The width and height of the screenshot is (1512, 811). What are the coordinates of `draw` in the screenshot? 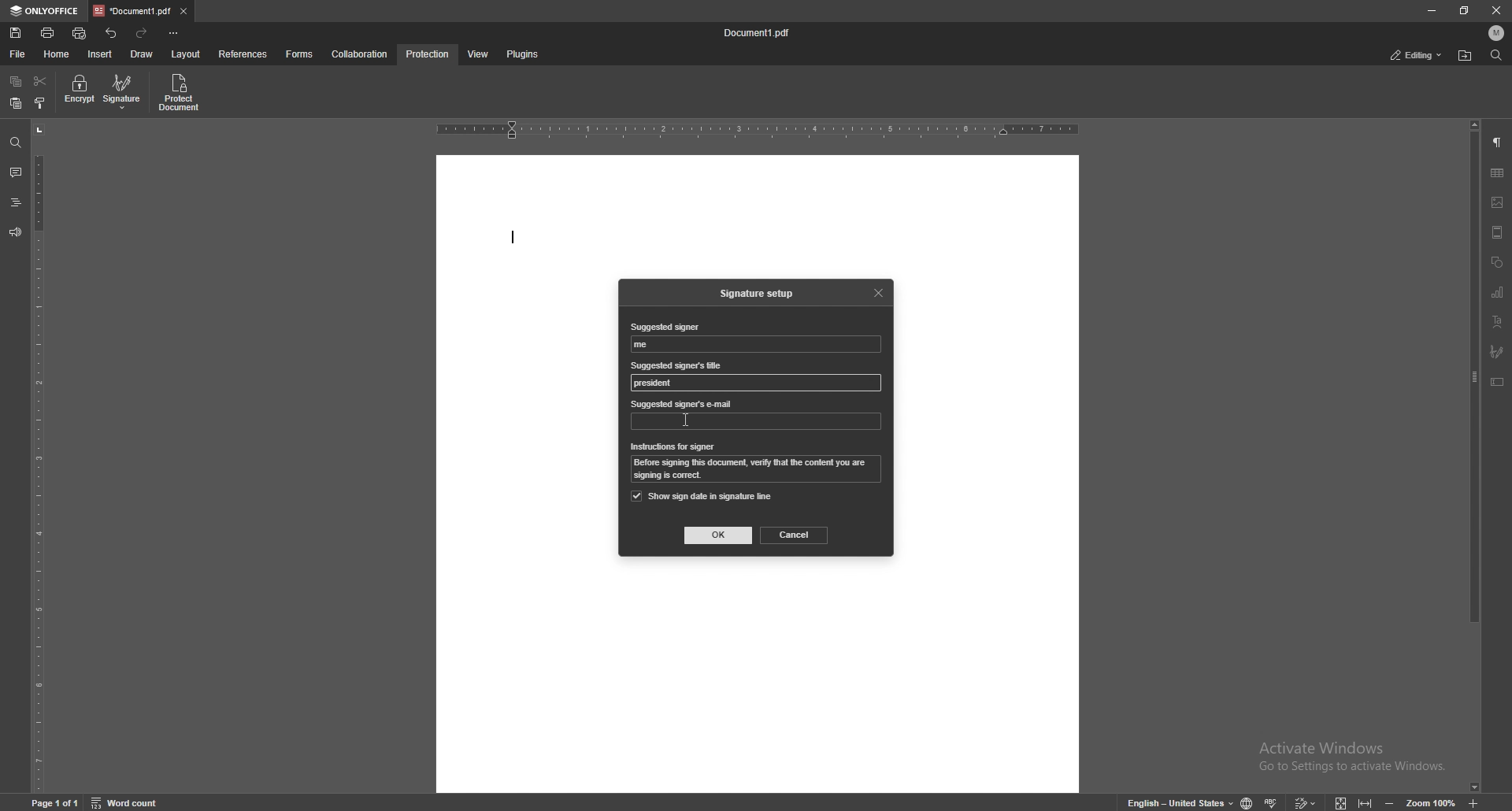 It's located at (142, 54).